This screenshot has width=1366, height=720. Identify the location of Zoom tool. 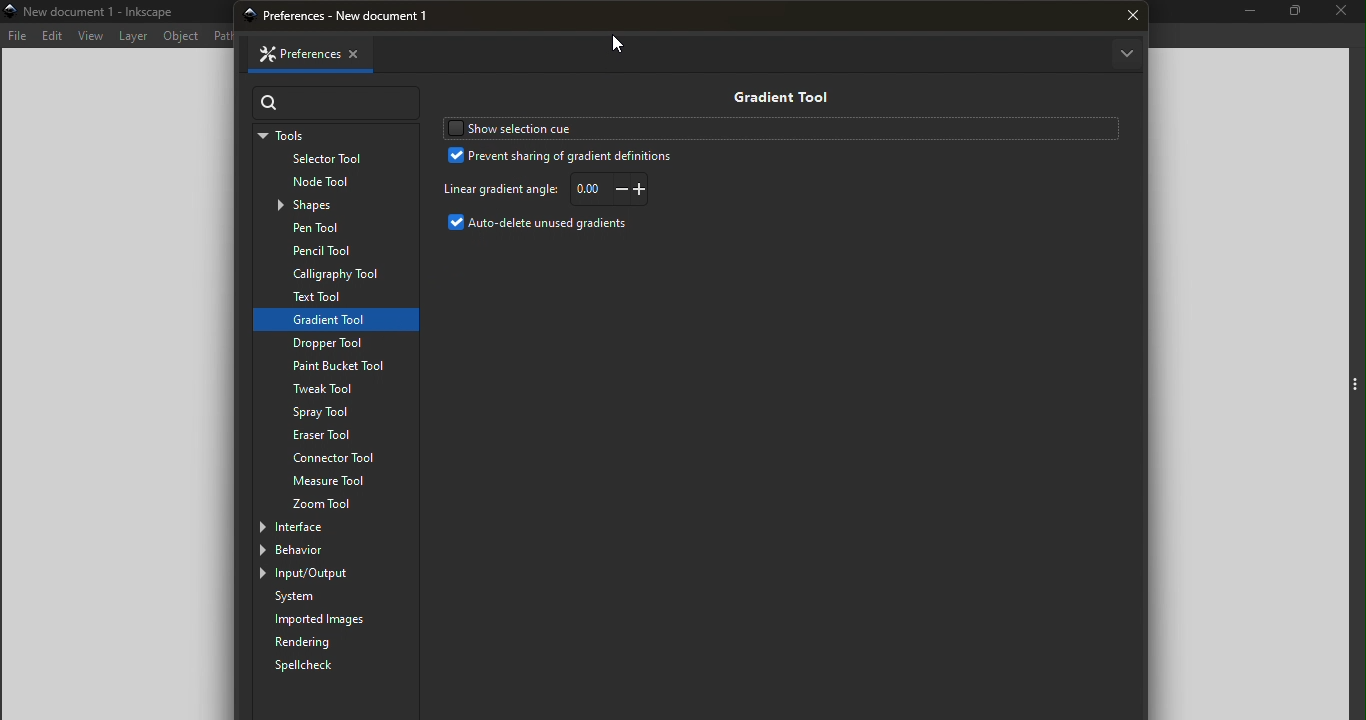
(337, 504).